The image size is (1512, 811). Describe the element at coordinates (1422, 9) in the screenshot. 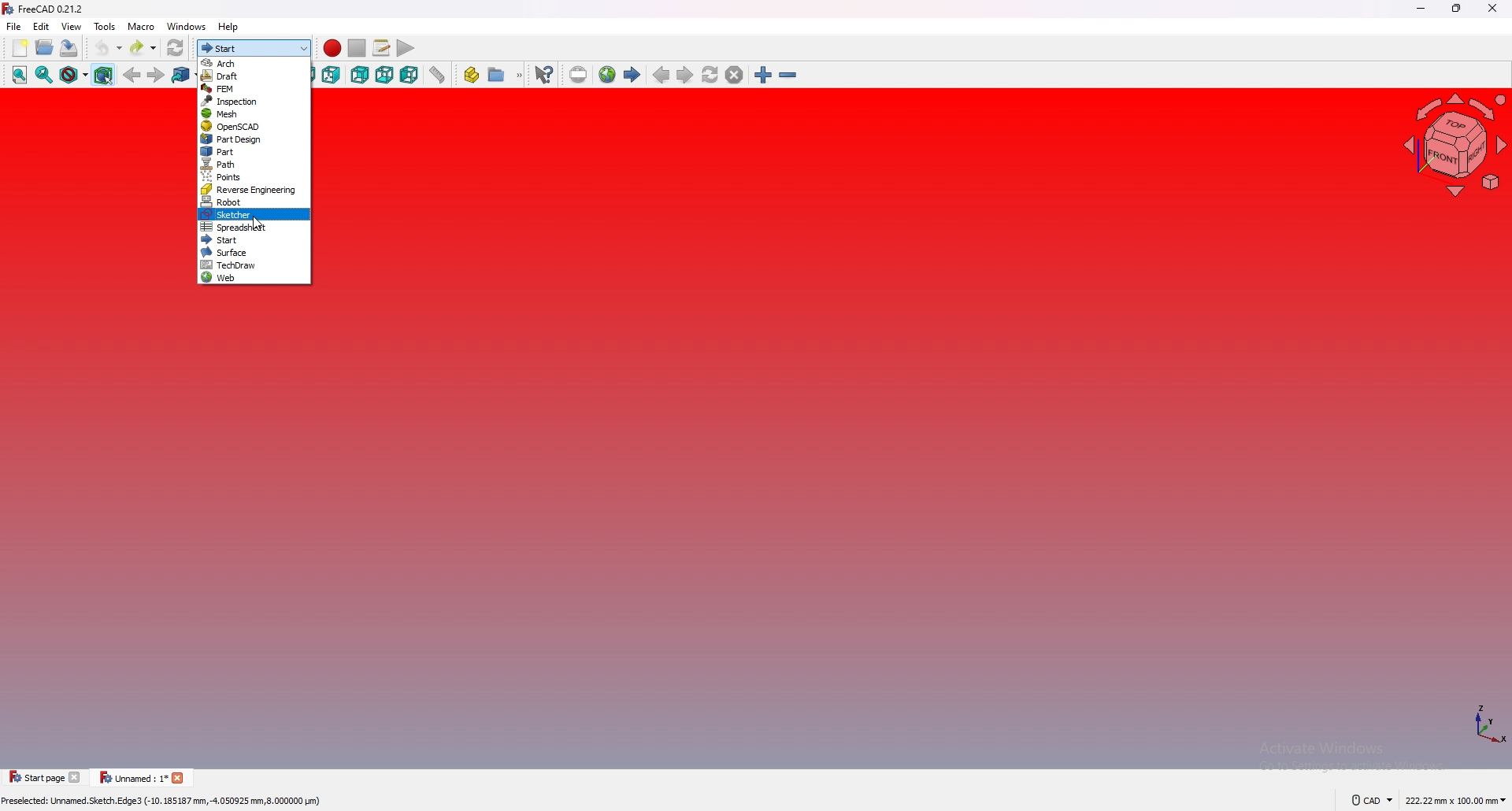

I see `minimize` at that location.